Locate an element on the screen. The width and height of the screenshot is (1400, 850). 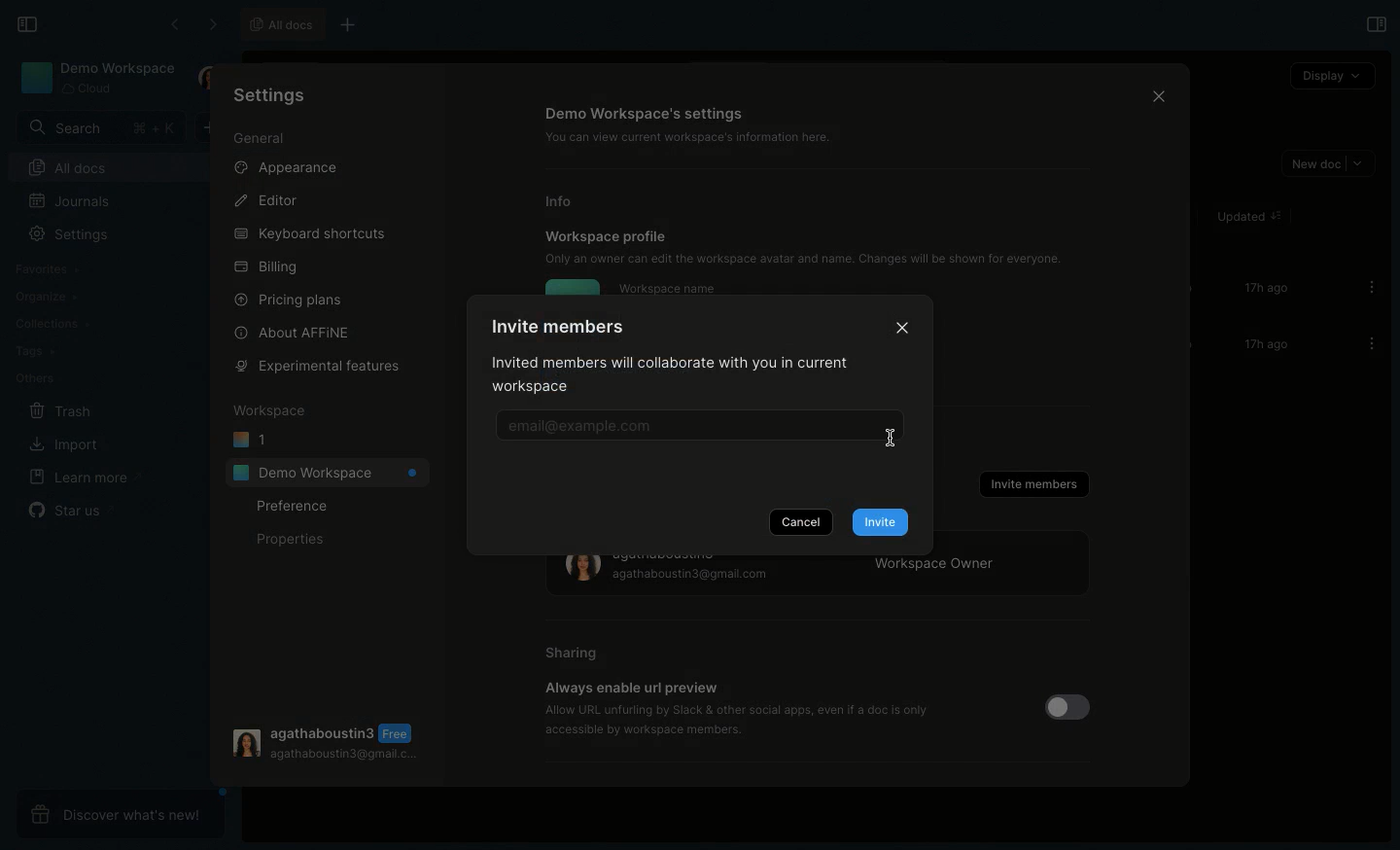
Import is located at coordinates (60, 443).